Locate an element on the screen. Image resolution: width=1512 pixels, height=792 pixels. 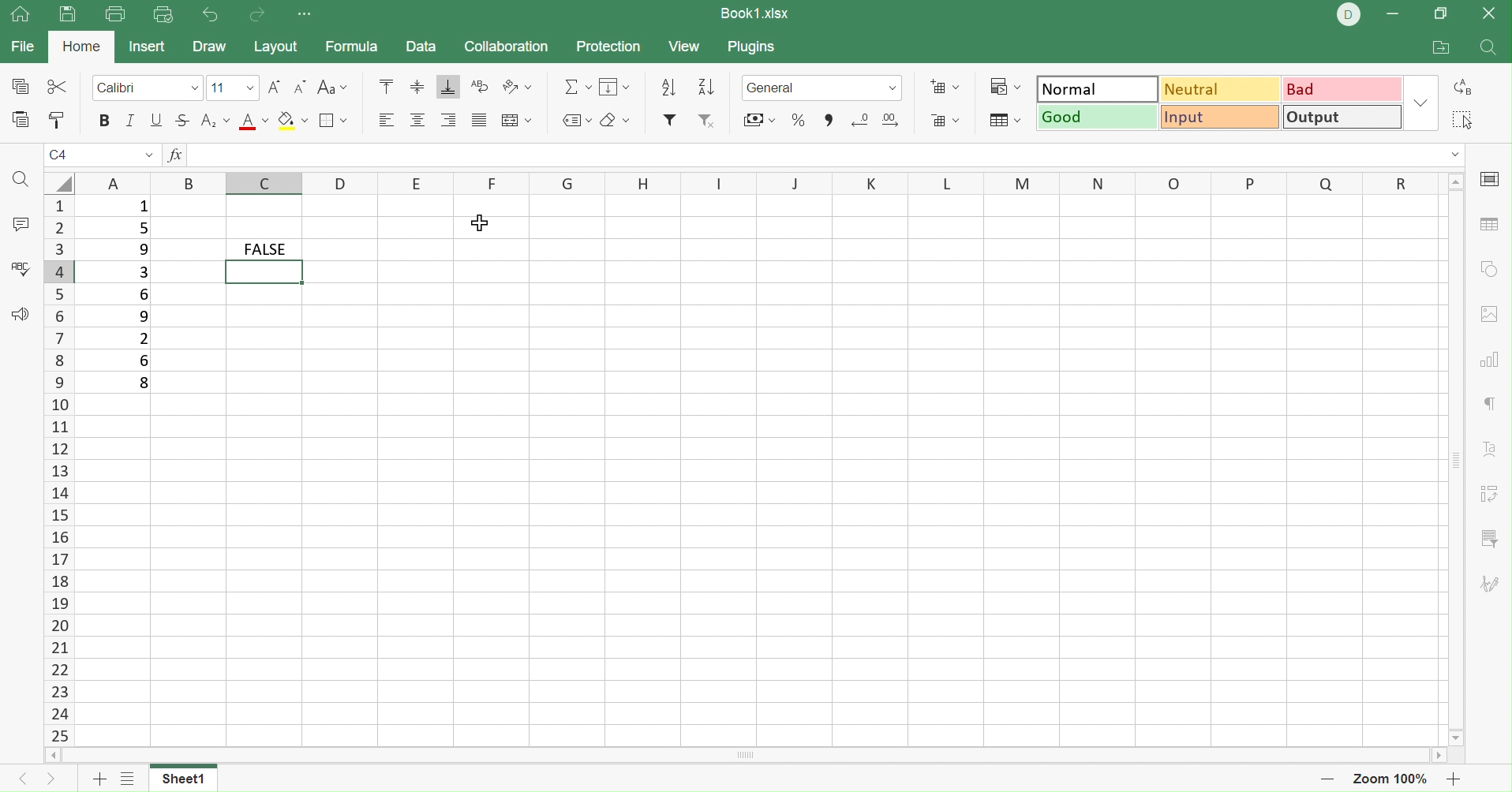
Italic is located at coordinates (130, 119).